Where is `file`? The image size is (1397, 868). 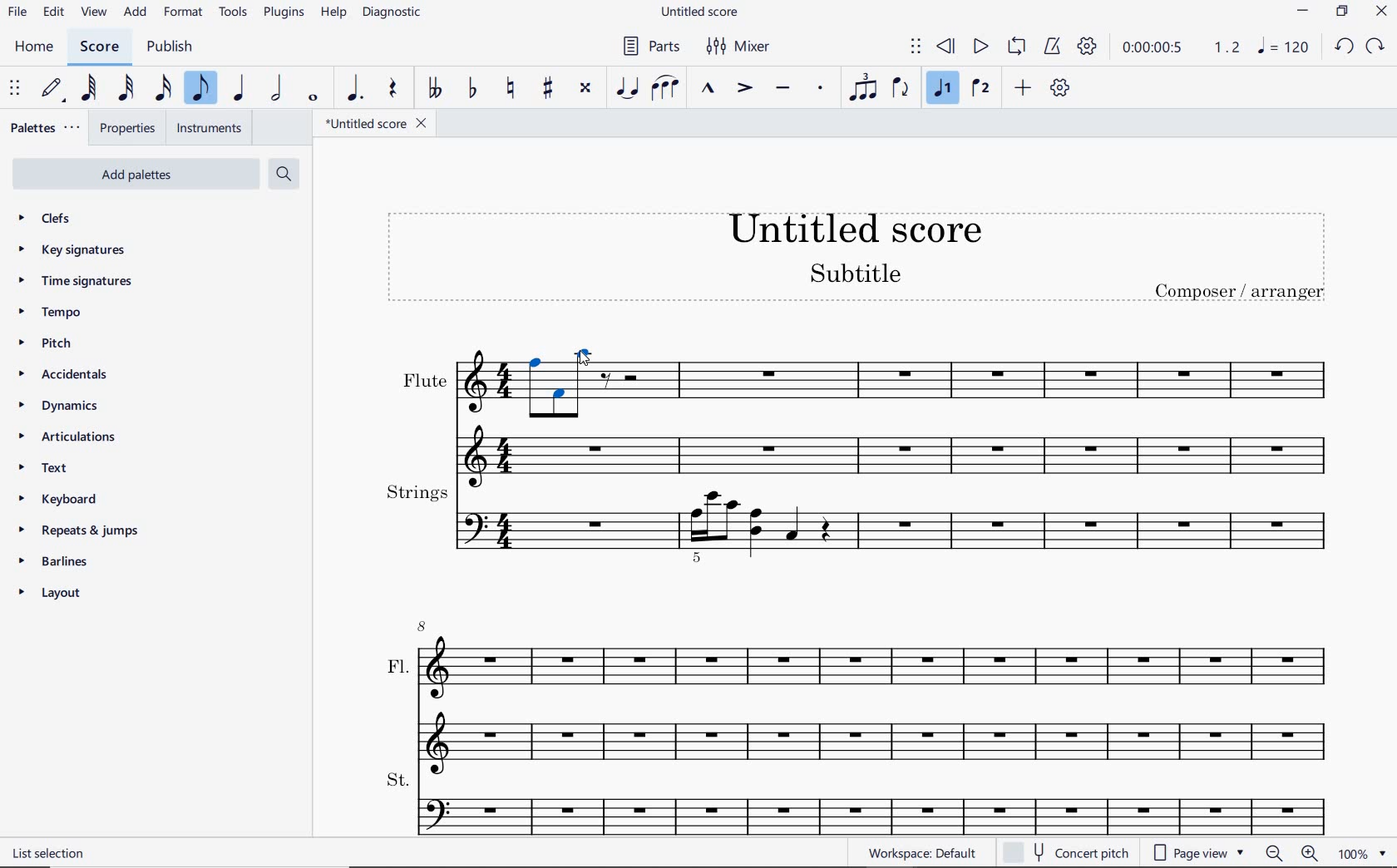 file is located at coordinates (16, 13).